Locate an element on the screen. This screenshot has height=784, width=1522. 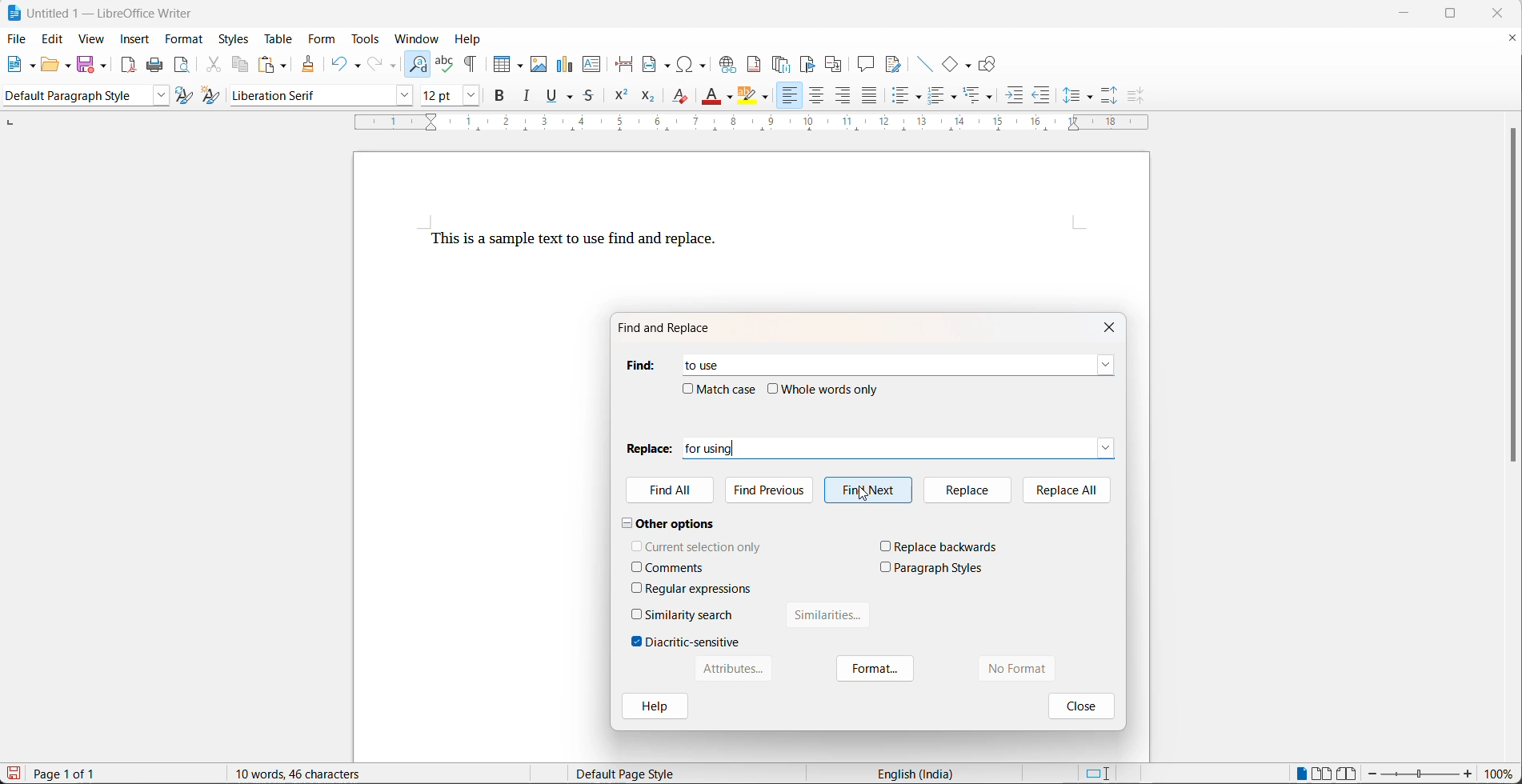
show track changes functions is located at coordinates (893, 64).